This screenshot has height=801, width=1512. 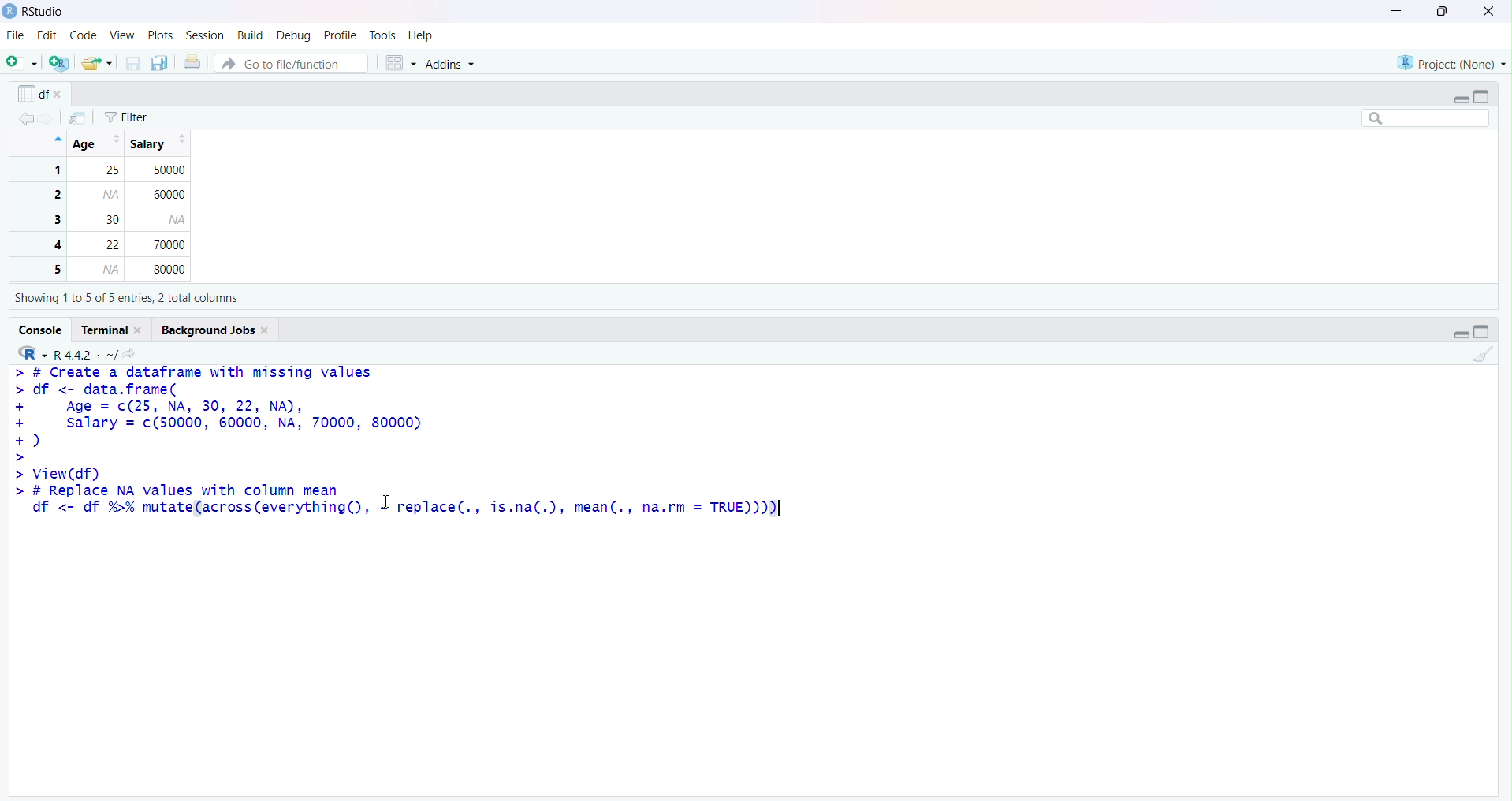 I want to click on Go back to the previous source location (Ctrl + F9), so click(x=25, y=117).